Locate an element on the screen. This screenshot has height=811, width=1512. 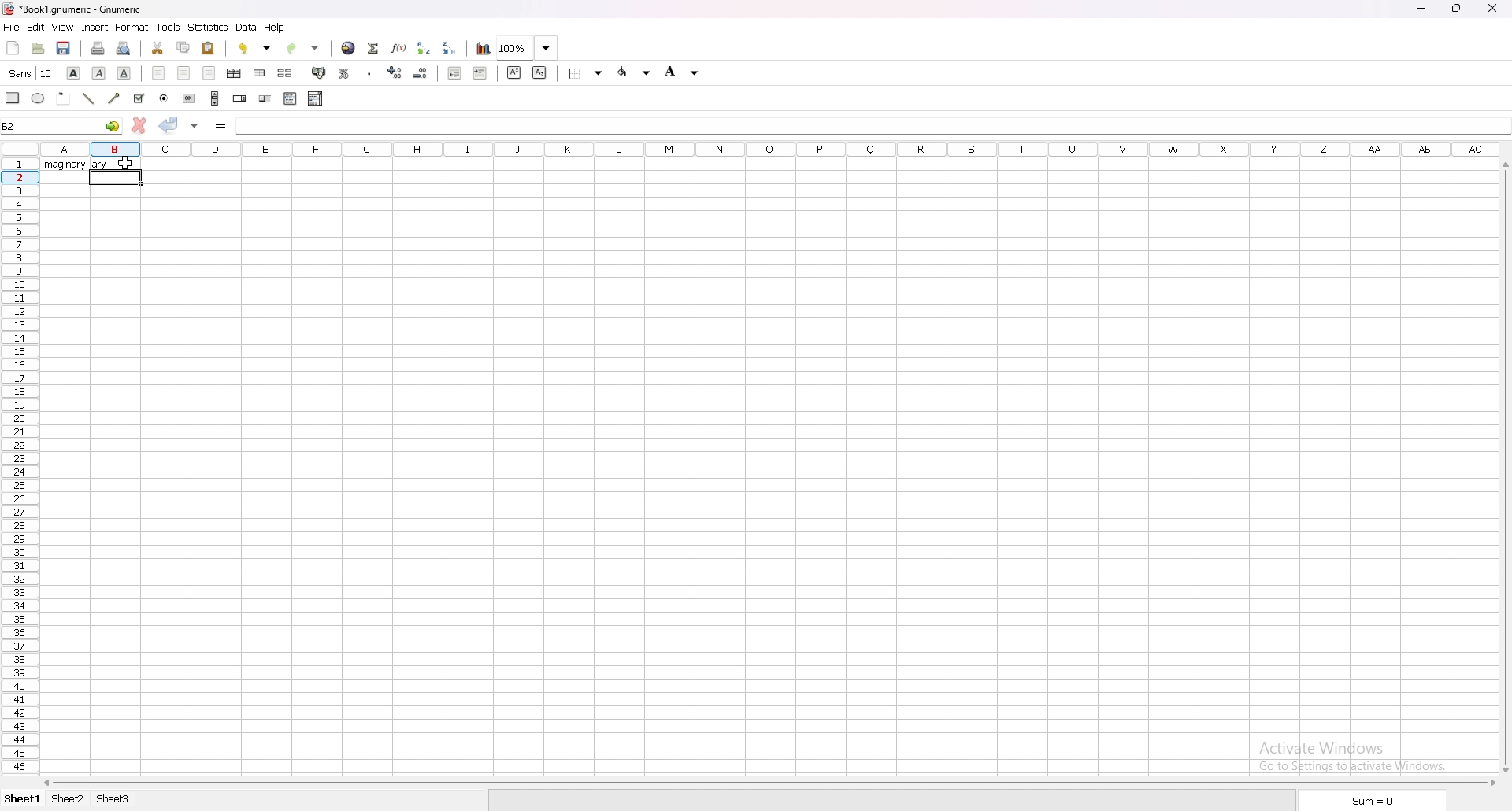
frame is located at coordinates (63, 98).